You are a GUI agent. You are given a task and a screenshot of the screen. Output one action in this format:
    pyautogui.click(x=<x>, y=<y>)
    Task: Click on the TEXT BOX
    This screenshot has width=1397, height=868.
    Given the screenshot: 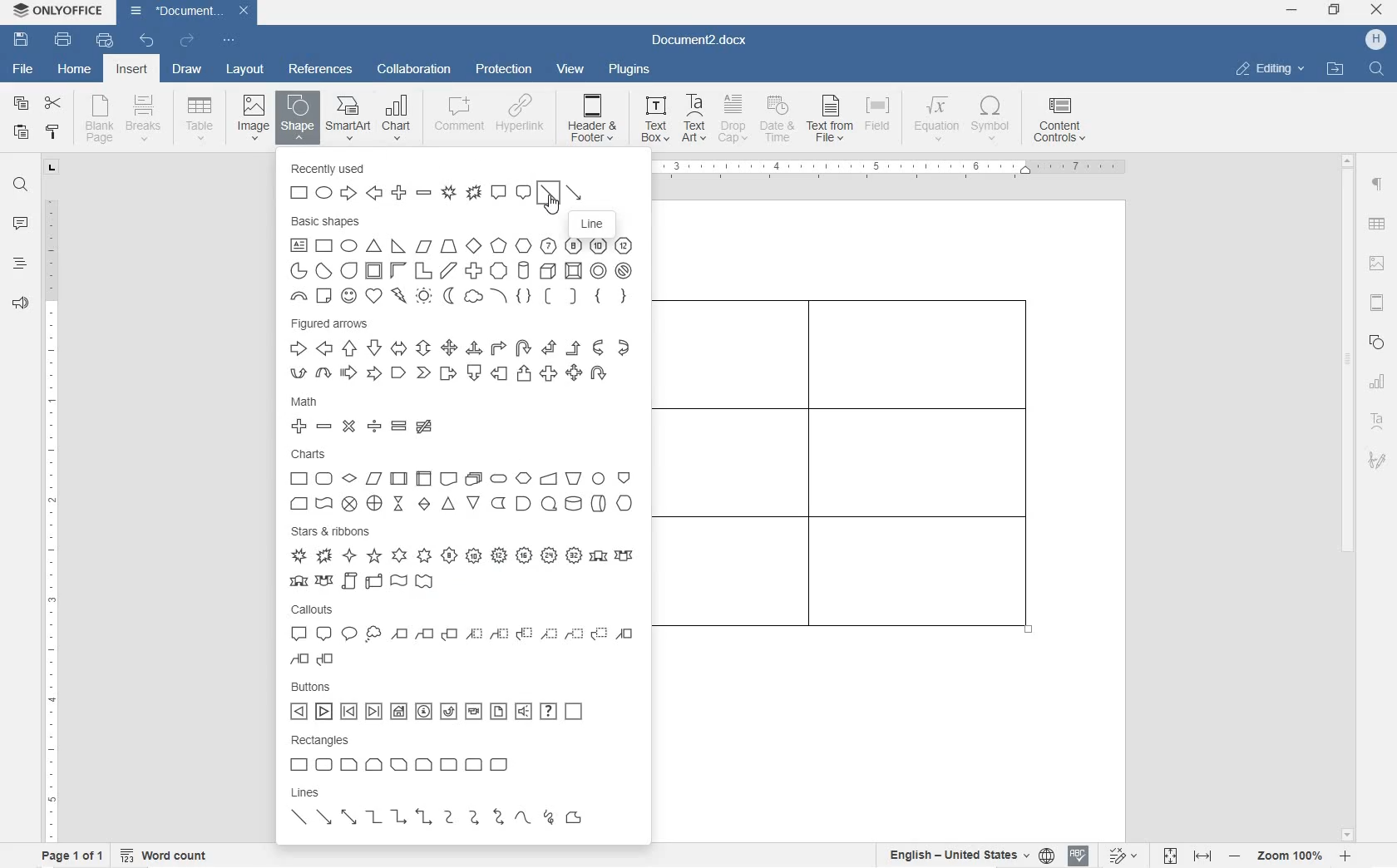 What is the action you would take?
    pyautogui.click(x=653, y=121)
    